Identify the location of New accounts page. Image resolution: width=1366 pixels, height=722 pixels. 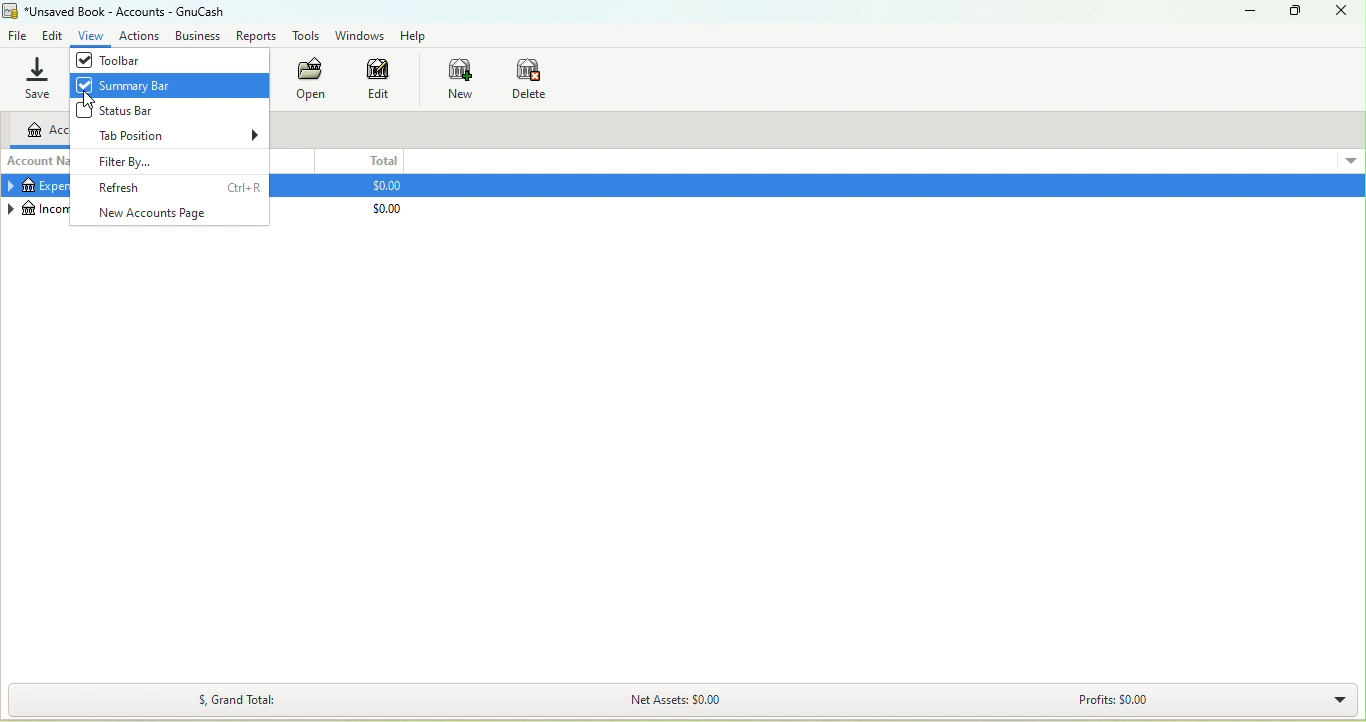
(171, 214).